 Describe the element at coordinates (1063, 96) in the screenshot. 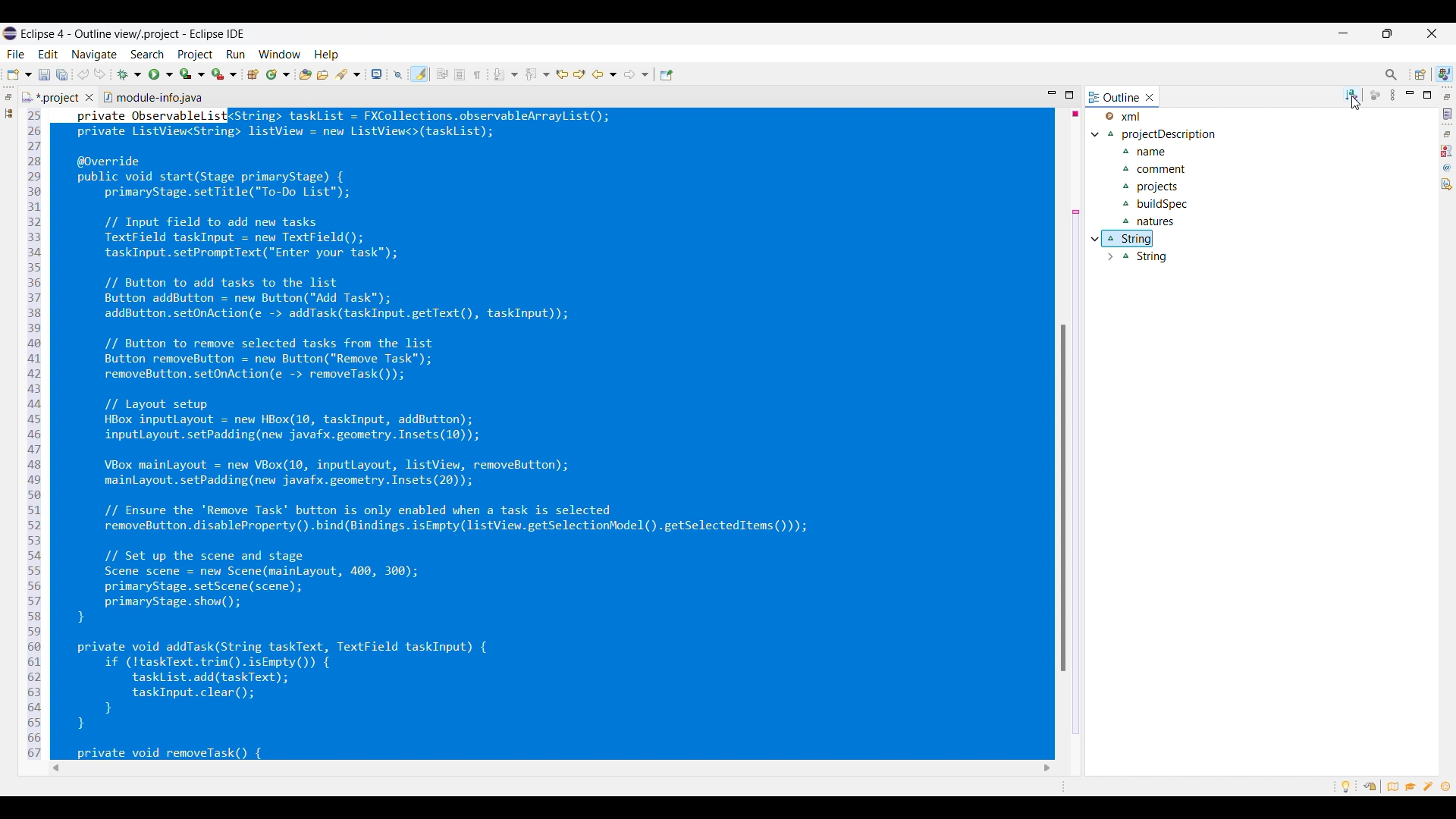

I see `` at that location.